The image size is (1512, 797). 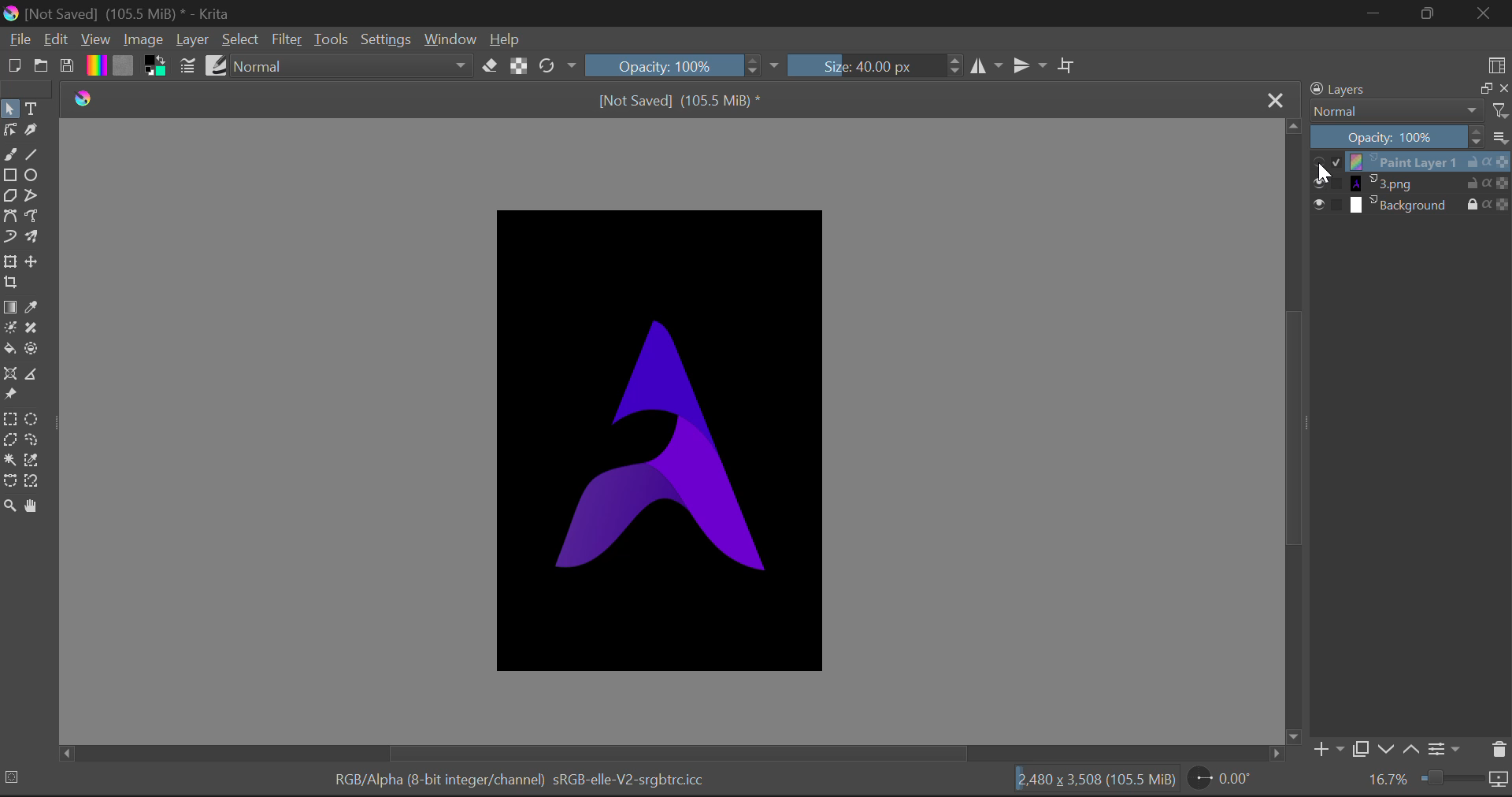 I want to click on Transparency , so click(x=1503, y=162).